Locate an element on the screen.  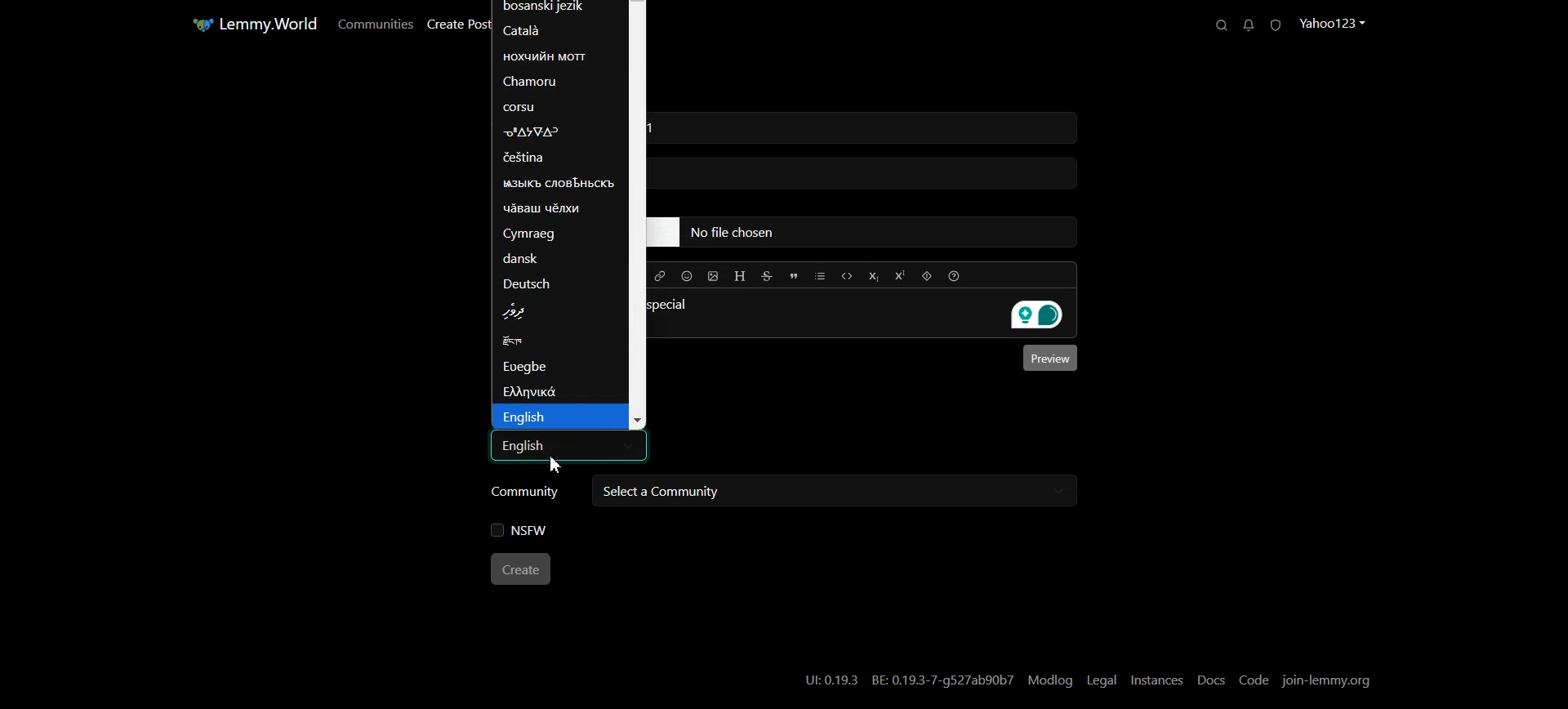
Create is located at coordinates (523, 570).